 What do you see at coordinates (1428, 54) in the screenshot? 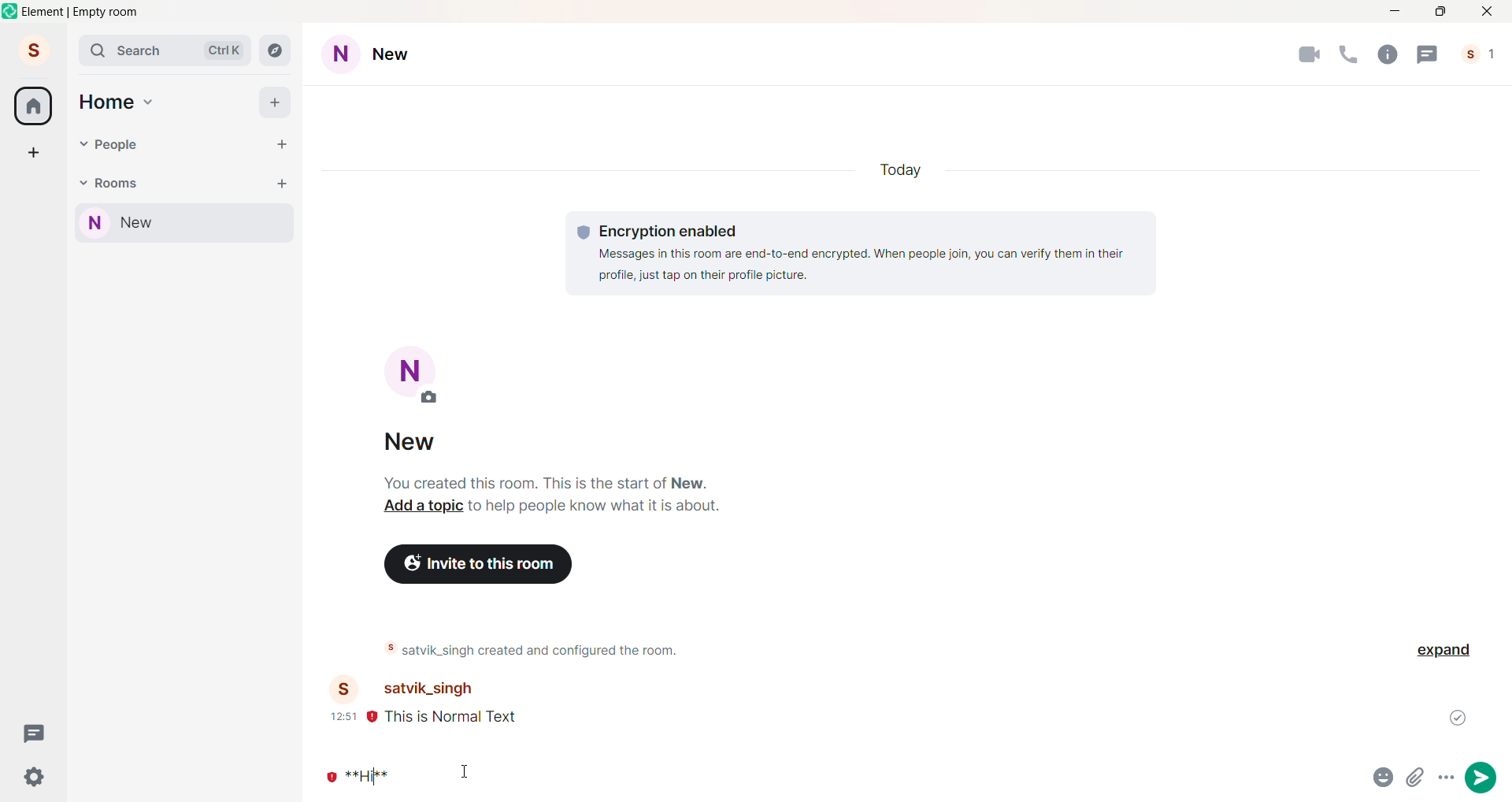
I see `Threads` at bounding box center [1428, 54].